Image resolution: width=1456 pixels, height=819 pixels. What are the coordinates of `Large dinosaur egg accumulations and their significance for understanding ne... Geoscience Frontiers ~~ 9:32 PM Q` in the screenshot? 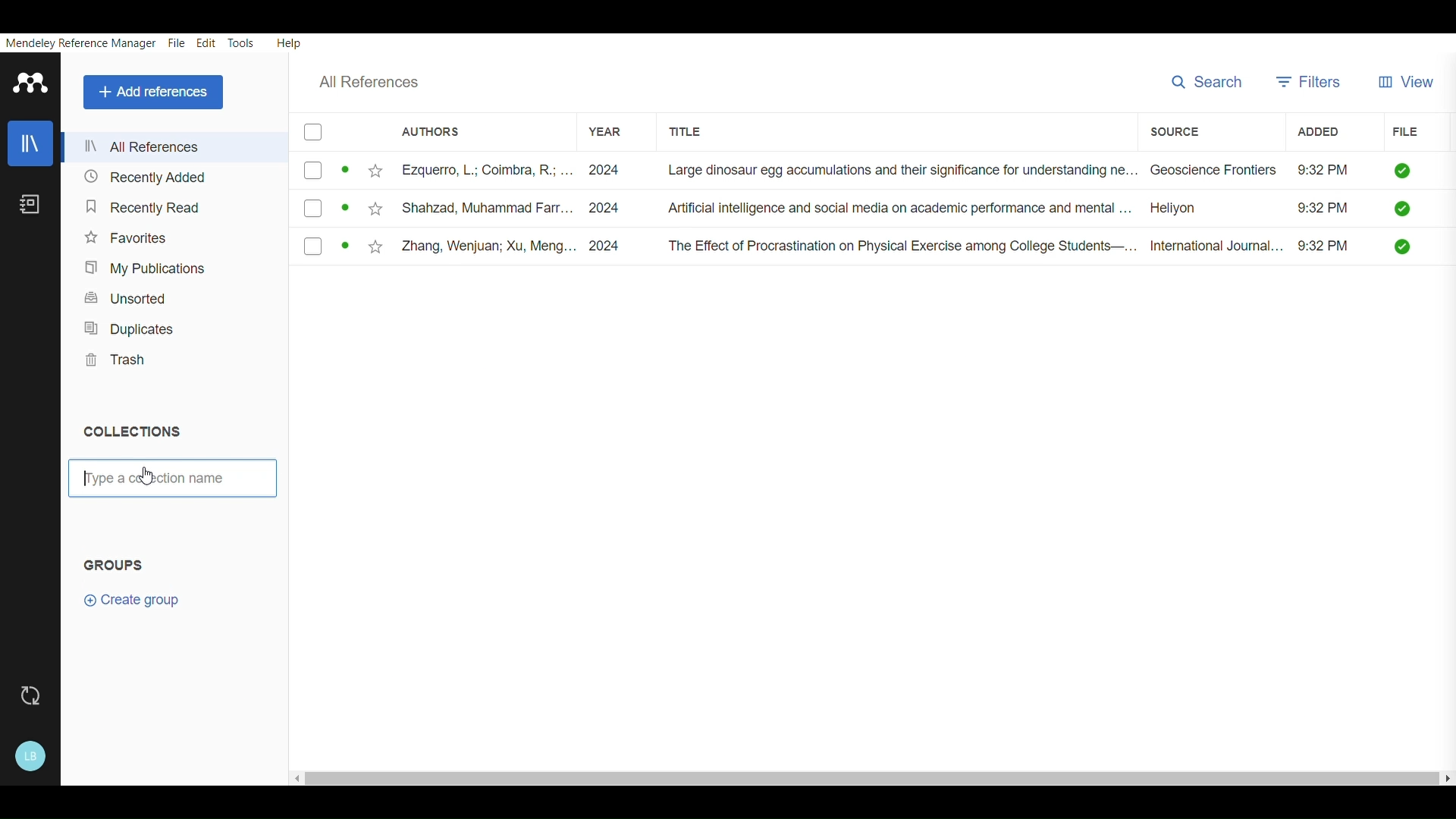 It's located at (1041, 172).